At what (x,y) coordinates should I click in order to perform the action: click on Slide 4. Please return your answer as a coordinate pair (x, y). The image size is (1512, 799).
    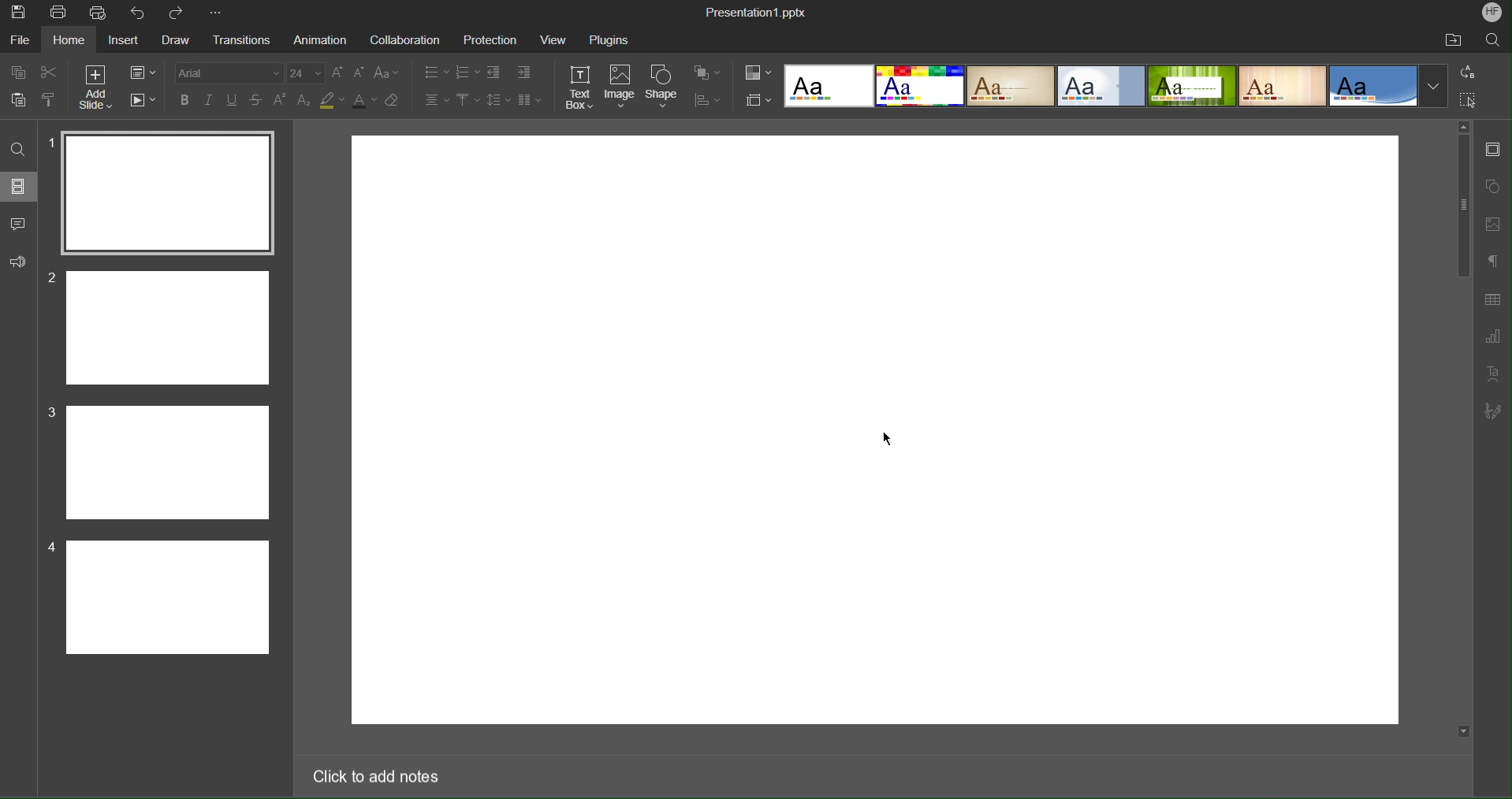
    Looking at the image, I should click on (168, 597).